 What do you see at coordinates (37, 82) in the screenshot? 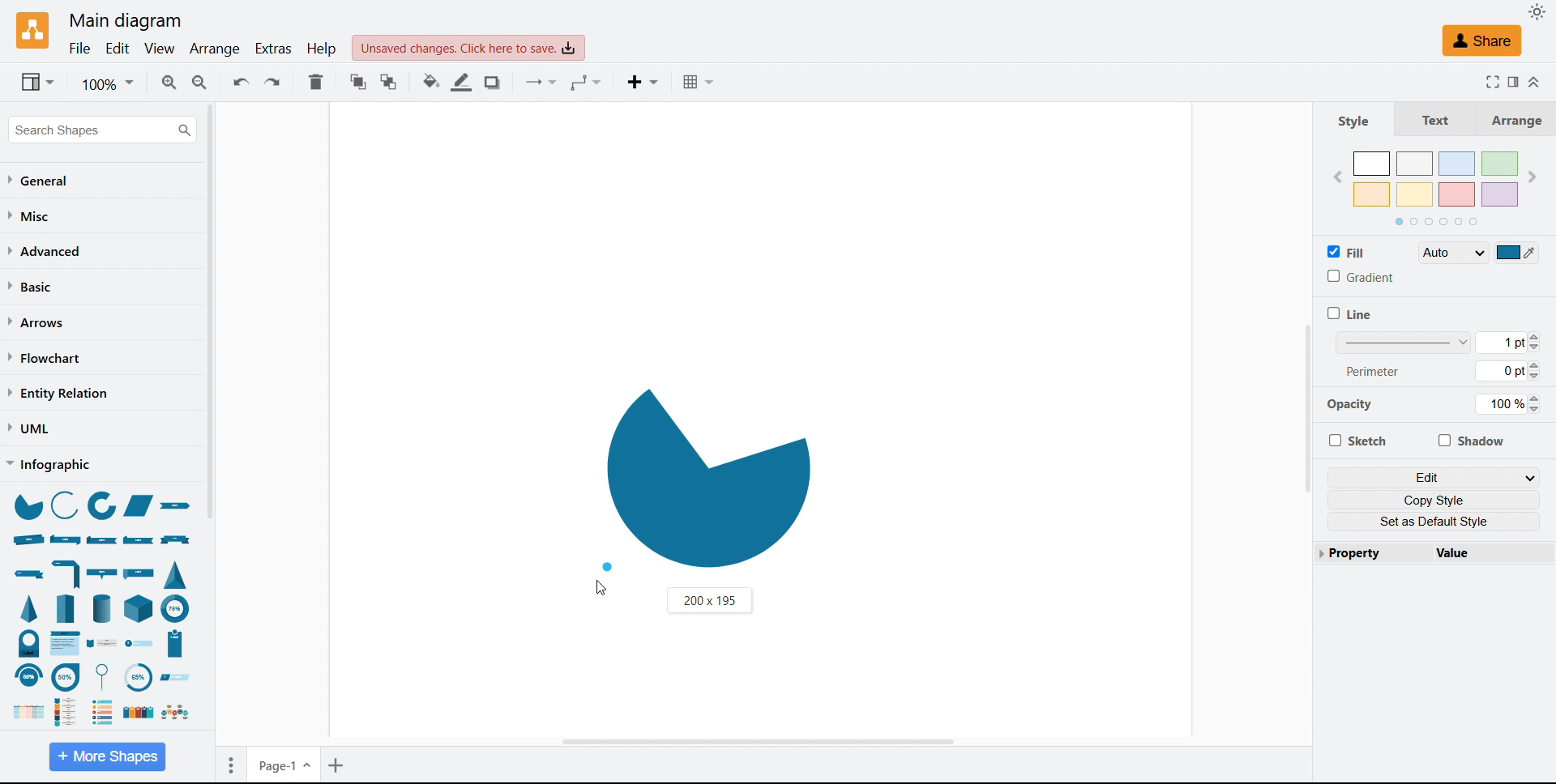
I see `Display options ` at bounding box center [37, 82].